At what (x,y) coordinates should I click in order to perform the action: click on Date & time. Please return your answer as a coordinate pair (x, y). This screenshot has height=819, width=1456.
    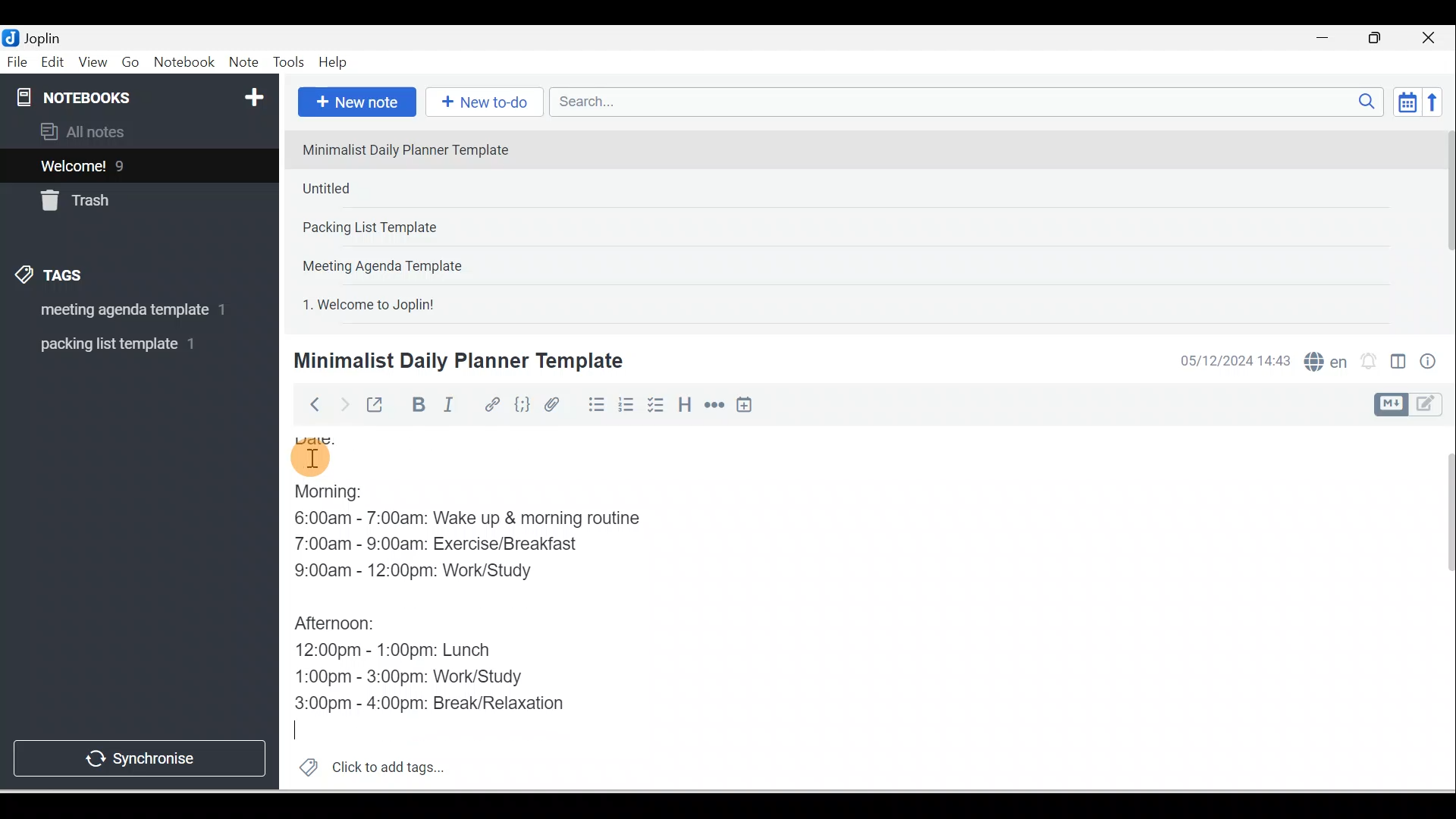
    Looking at the image, I should click on (1232, 361).